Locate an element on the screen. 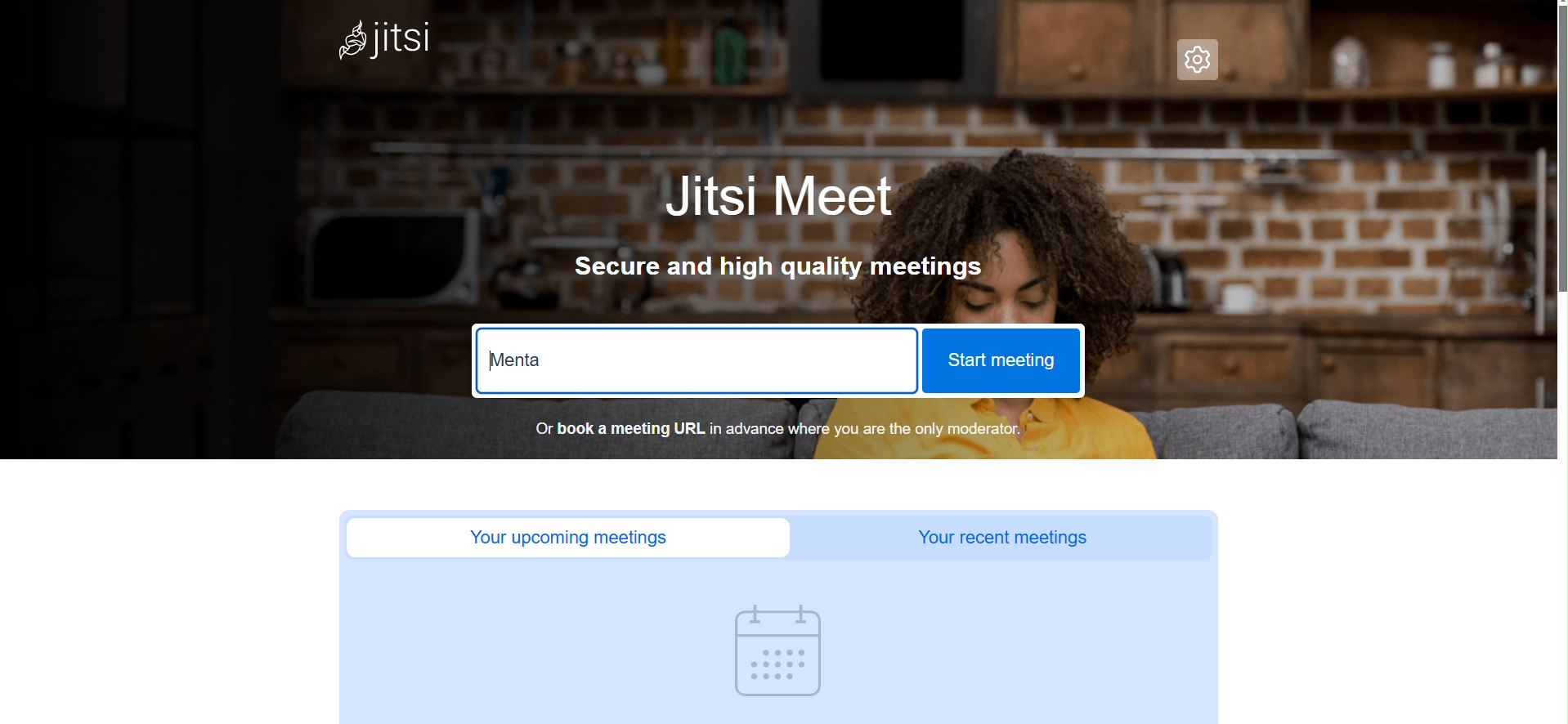  Or book a meeting URL in advance where you are the only moderator. is located at coordinates (768, 431).